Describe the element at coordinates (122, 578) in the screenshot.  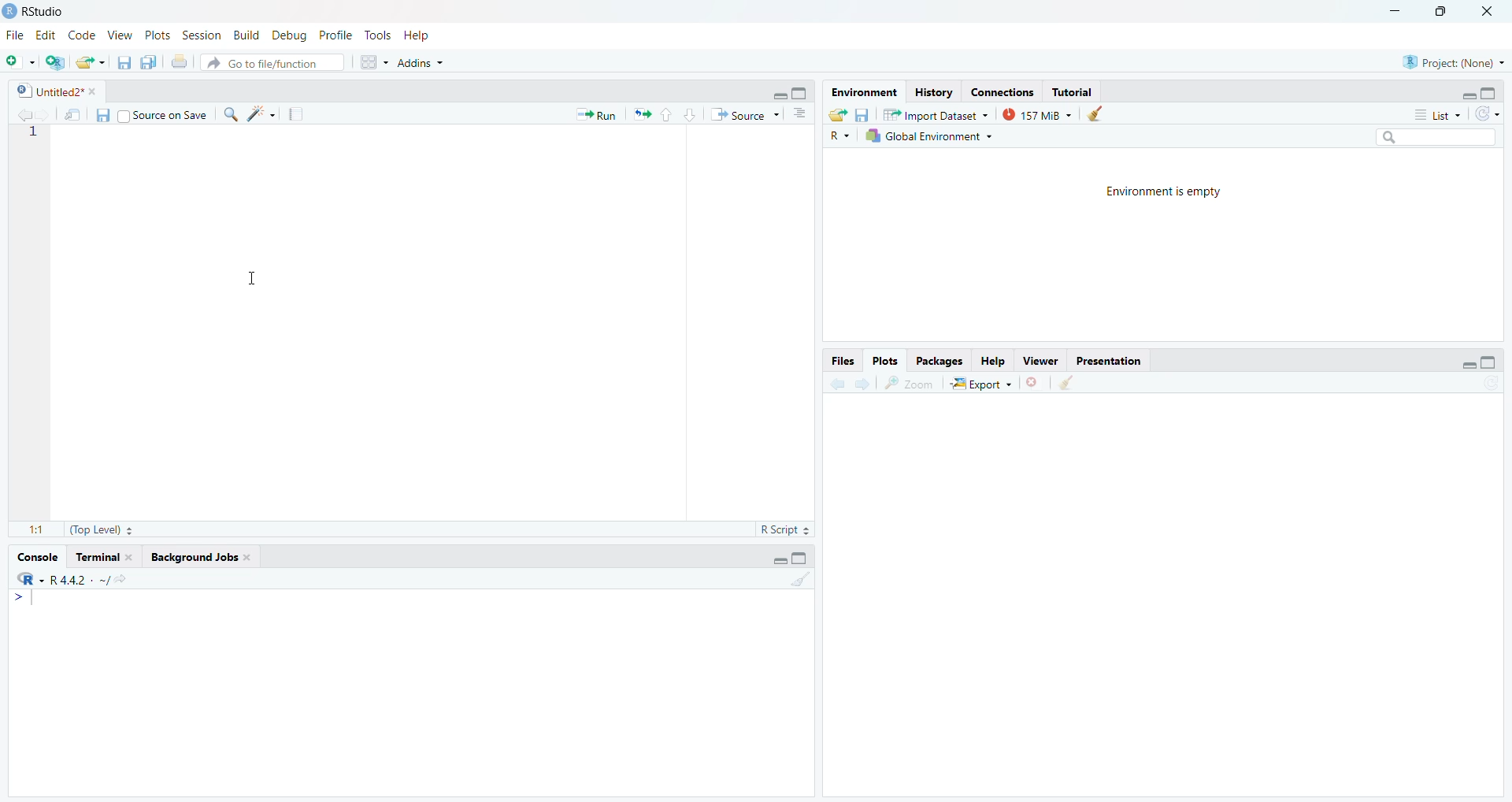
I see `view the current working directory` at that location.